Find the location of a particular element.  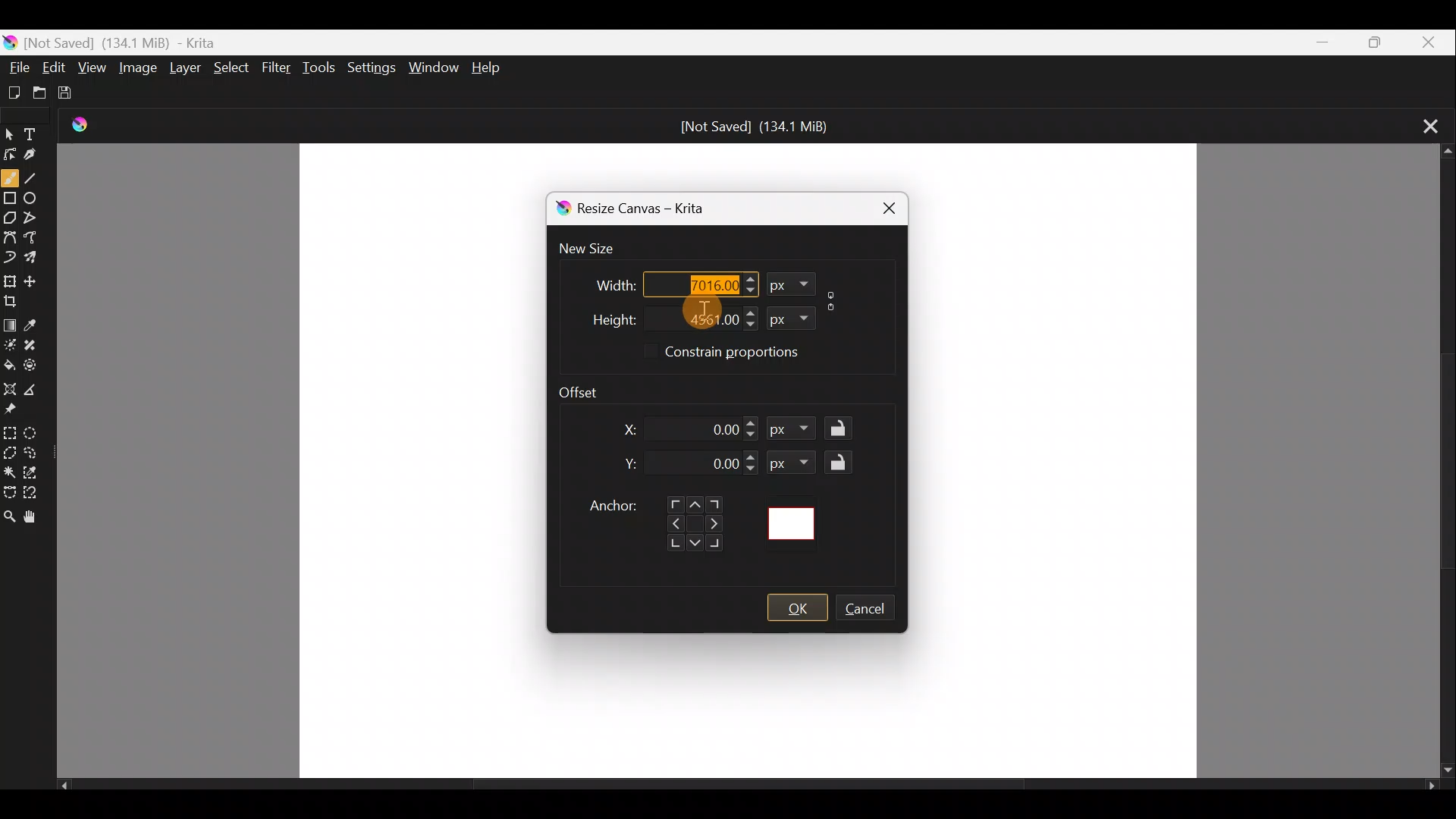

Offset is located at coordinates (590, 387).